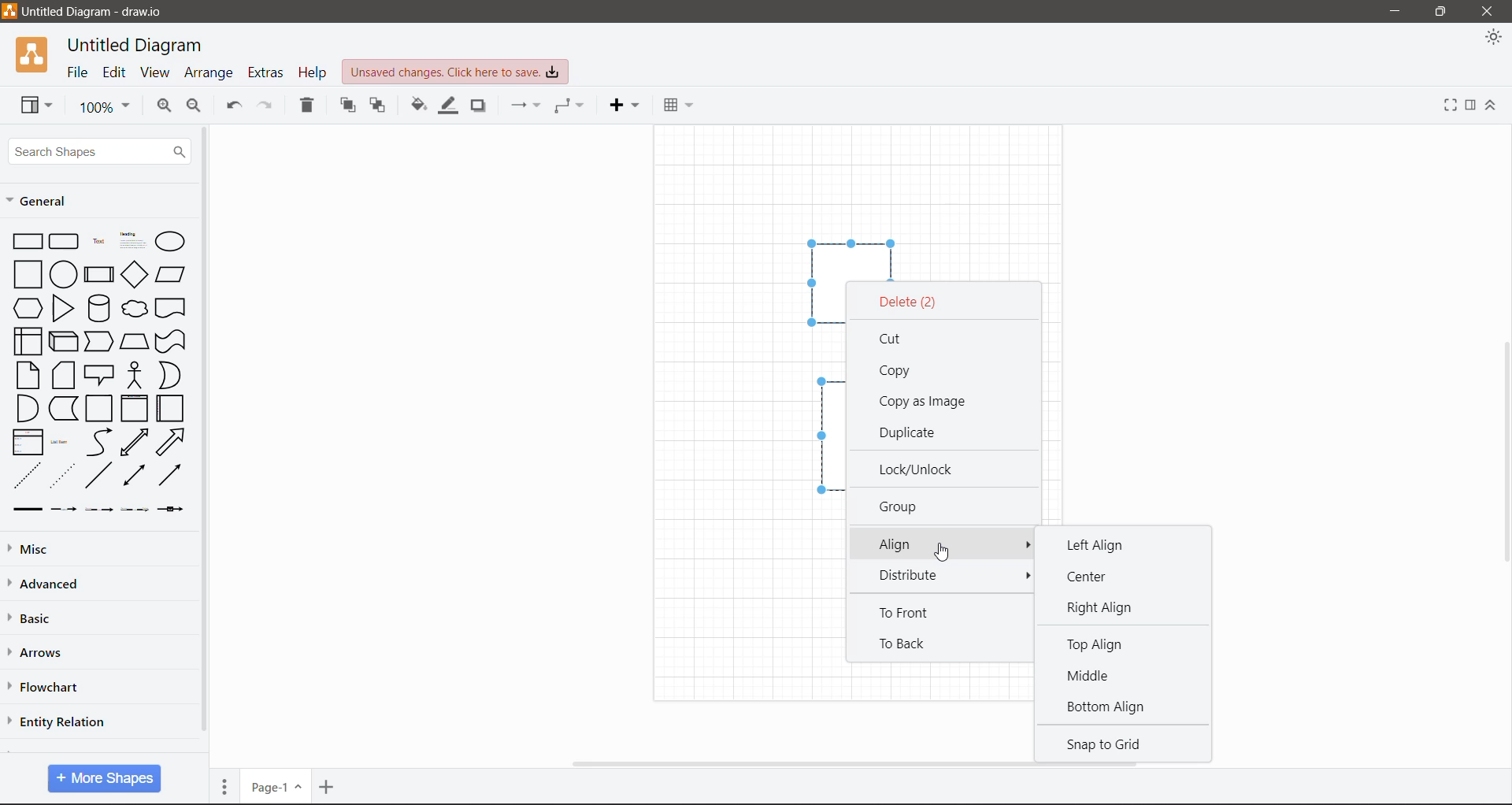  What do you see at coordinates (196, 107) in the screenshot?
I see `Zoom Out` at bounding box center [196, 107].